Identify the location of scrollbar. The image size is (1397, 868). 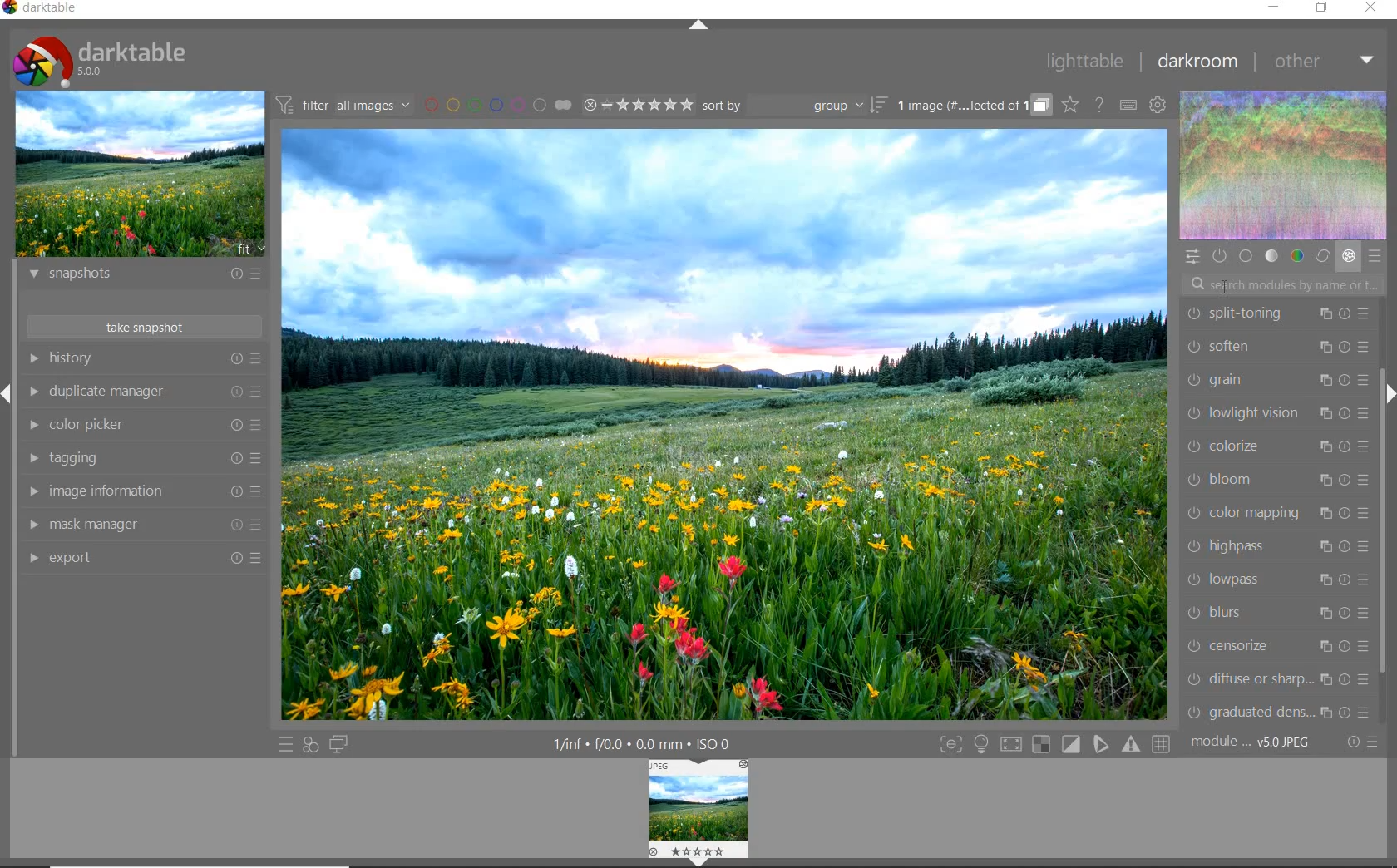
(1382, 525).